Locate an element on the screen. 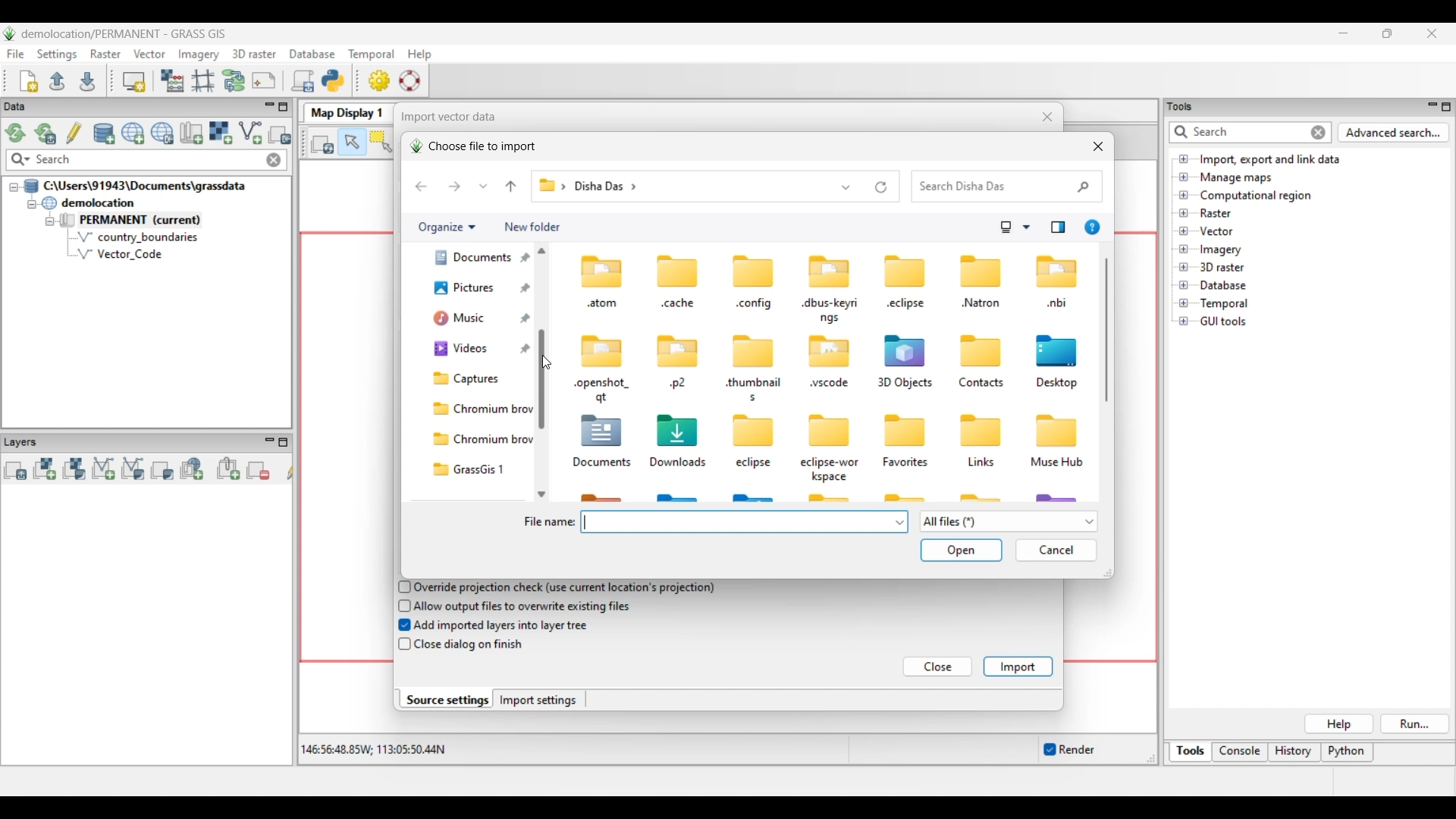  icon is located at coordinates (1057, 350).